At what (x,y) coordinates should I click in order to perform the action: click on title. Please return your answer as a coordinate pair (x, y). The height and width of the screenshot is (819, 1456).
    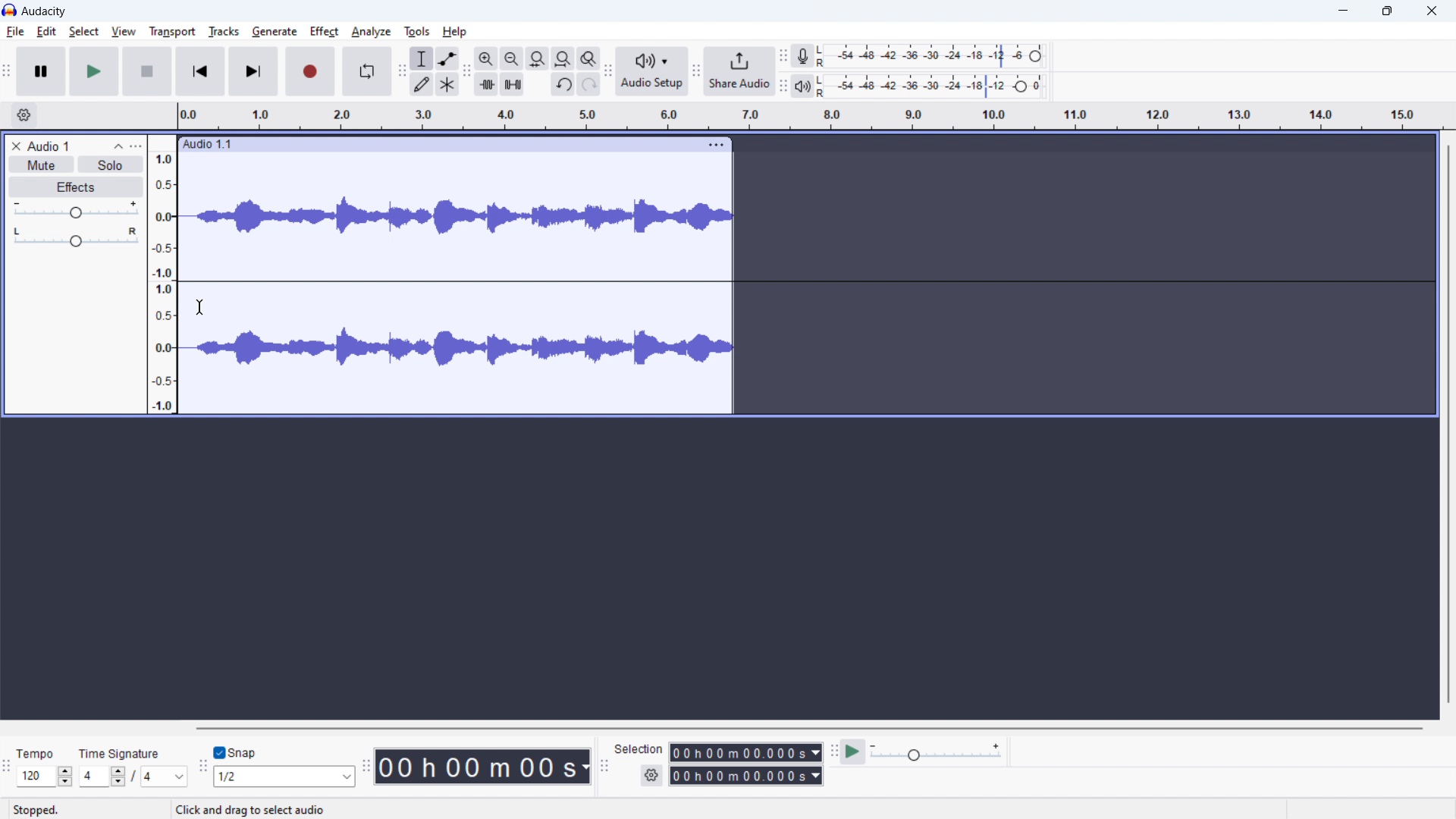
    Looking at the image, I should click on (45, 11).